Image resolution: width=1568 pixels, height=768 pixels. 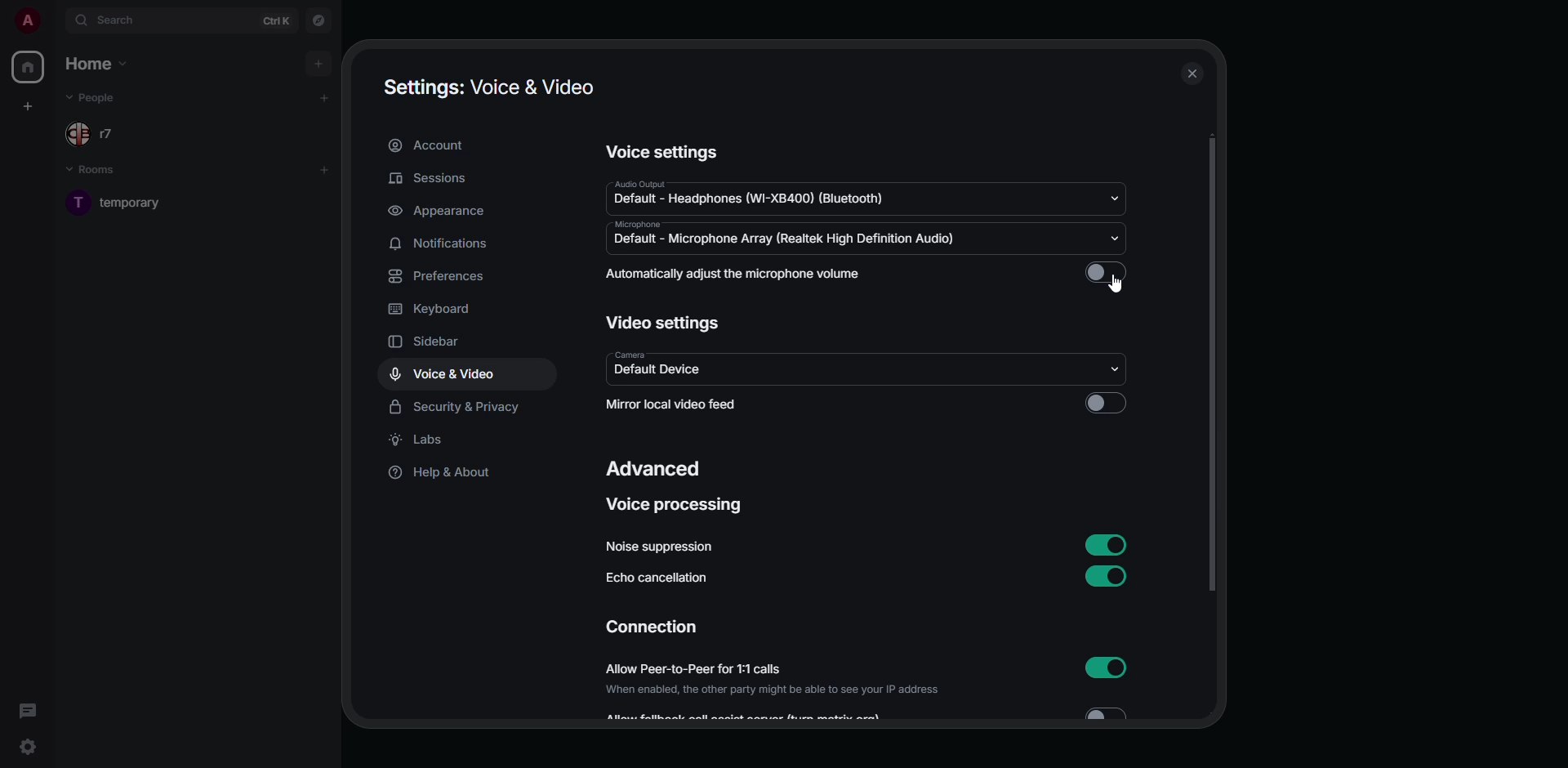 I want to click on preferences, so click(x=441, y=278).